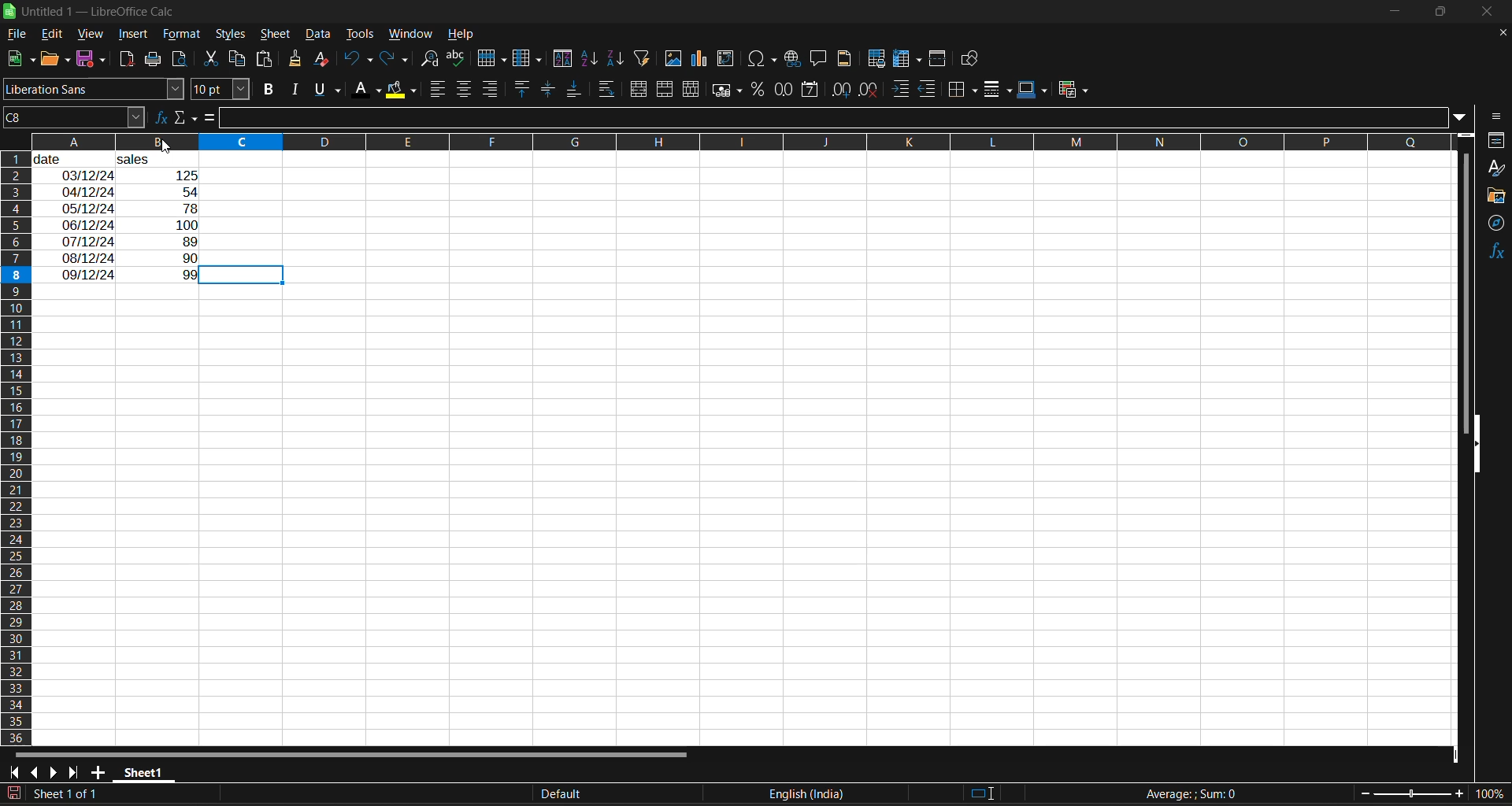  Describe the element at coordinates (213, 57) in the screenshot. I see `cut` at that location.